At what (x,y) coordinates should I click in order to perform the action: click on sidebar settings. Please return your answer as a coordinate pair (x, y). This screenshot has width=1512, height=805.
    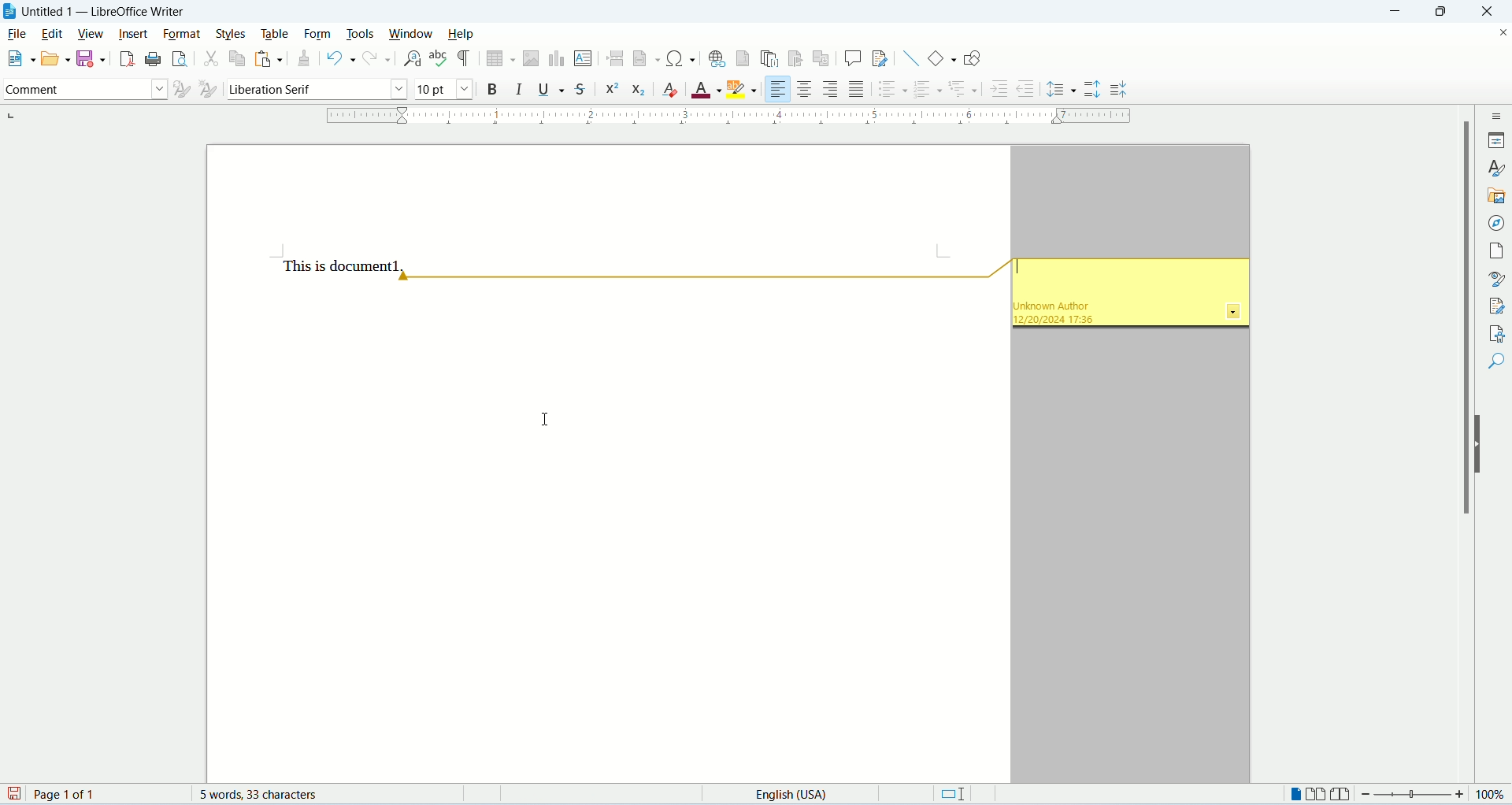
    Looking at the image, I should click on (1497, 116).